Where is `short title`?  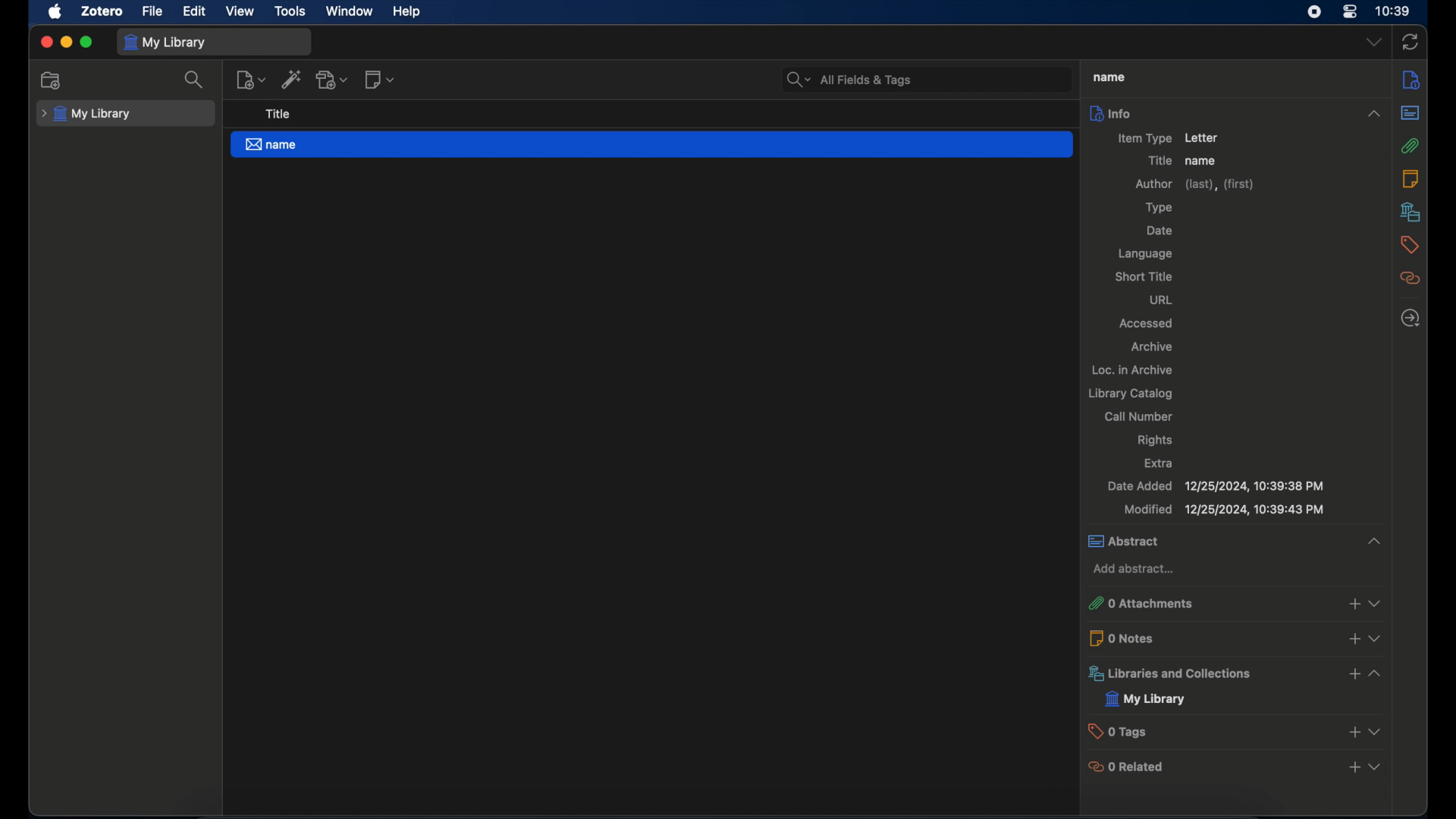 short title is located at coordinates (1145, 276).